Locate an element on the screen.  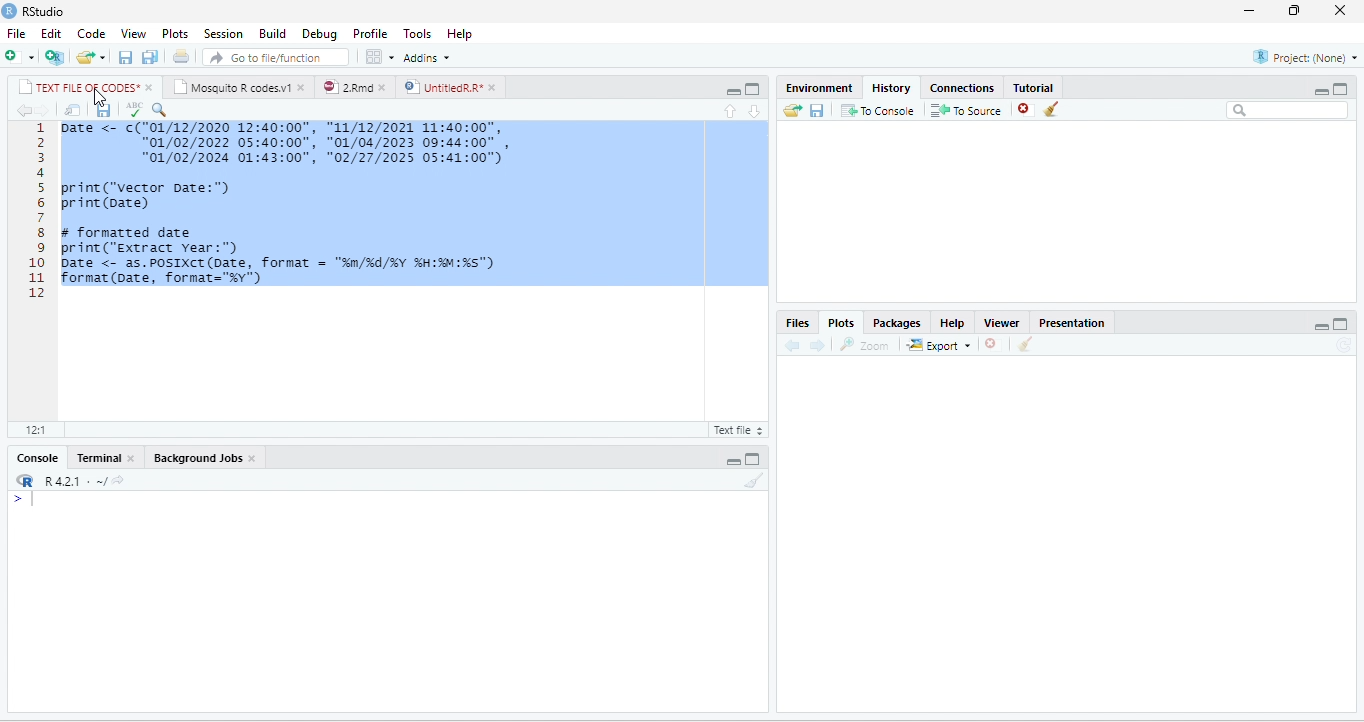
Project(None) is located at coordinates (1305, 57).